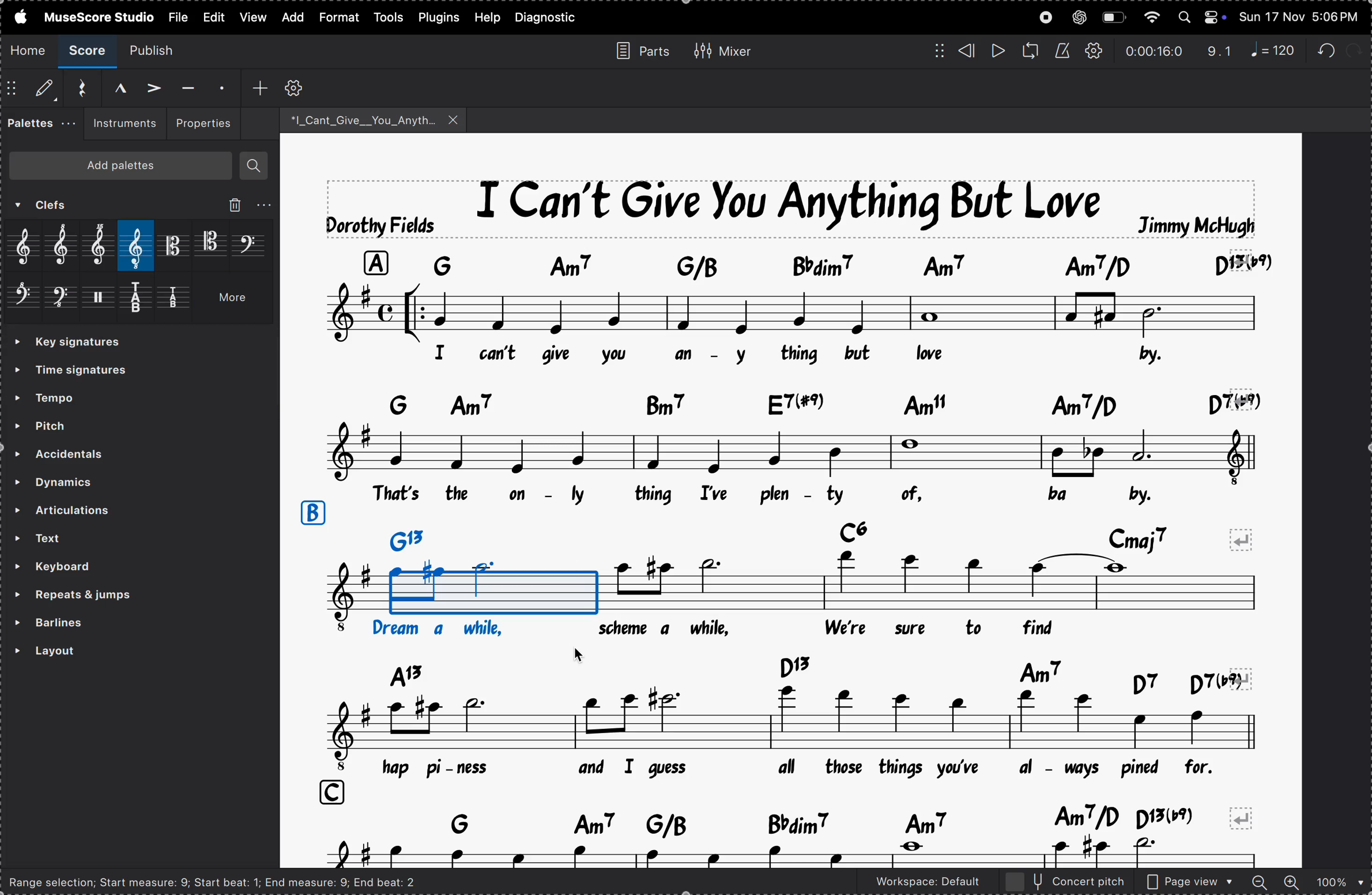 This screenshot has width=1372, height=895. I want to click on Time signatures, so click(79, 373).